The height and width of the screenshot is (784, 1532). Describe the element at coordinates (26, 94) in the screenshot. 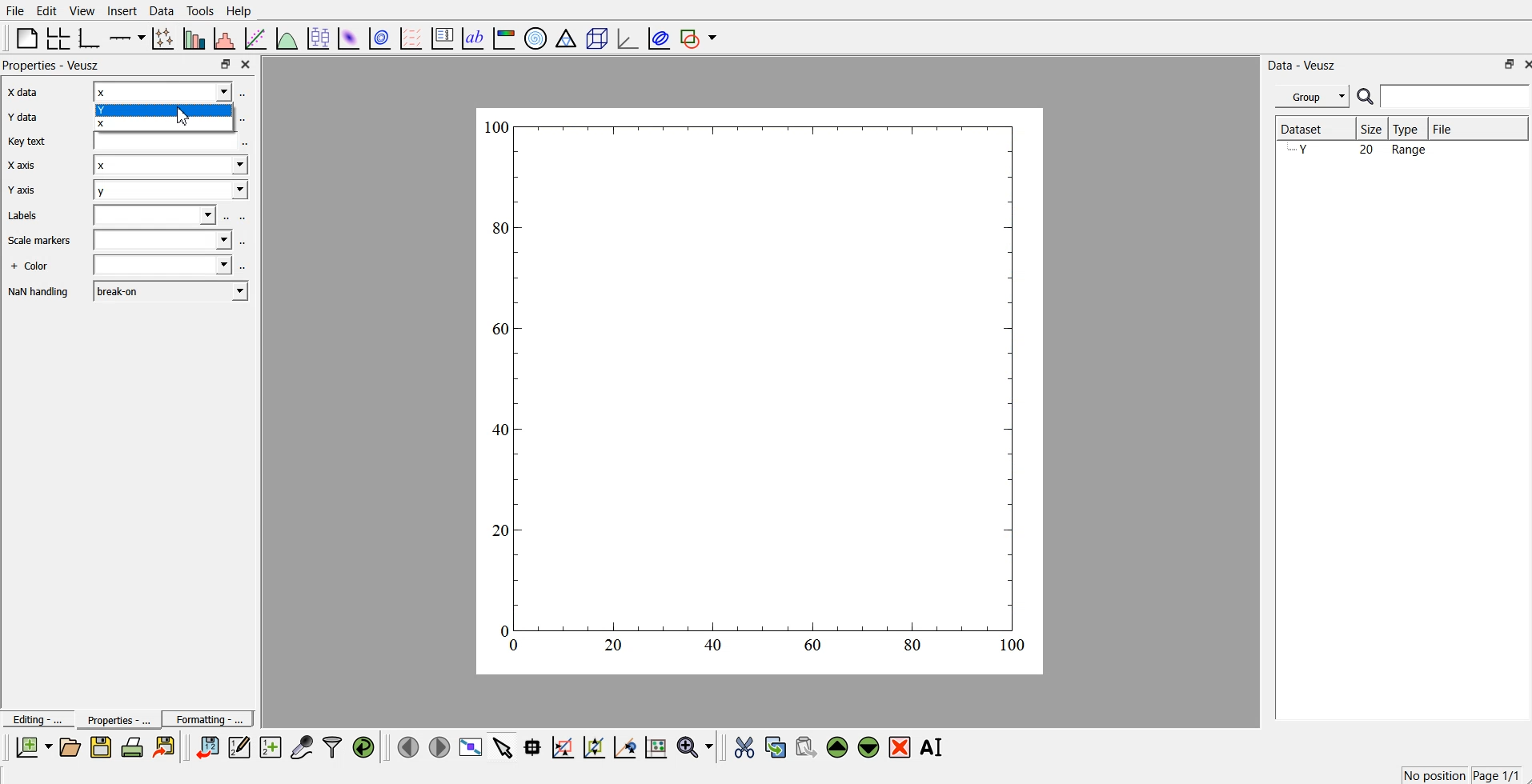

I see `X data` at that location.